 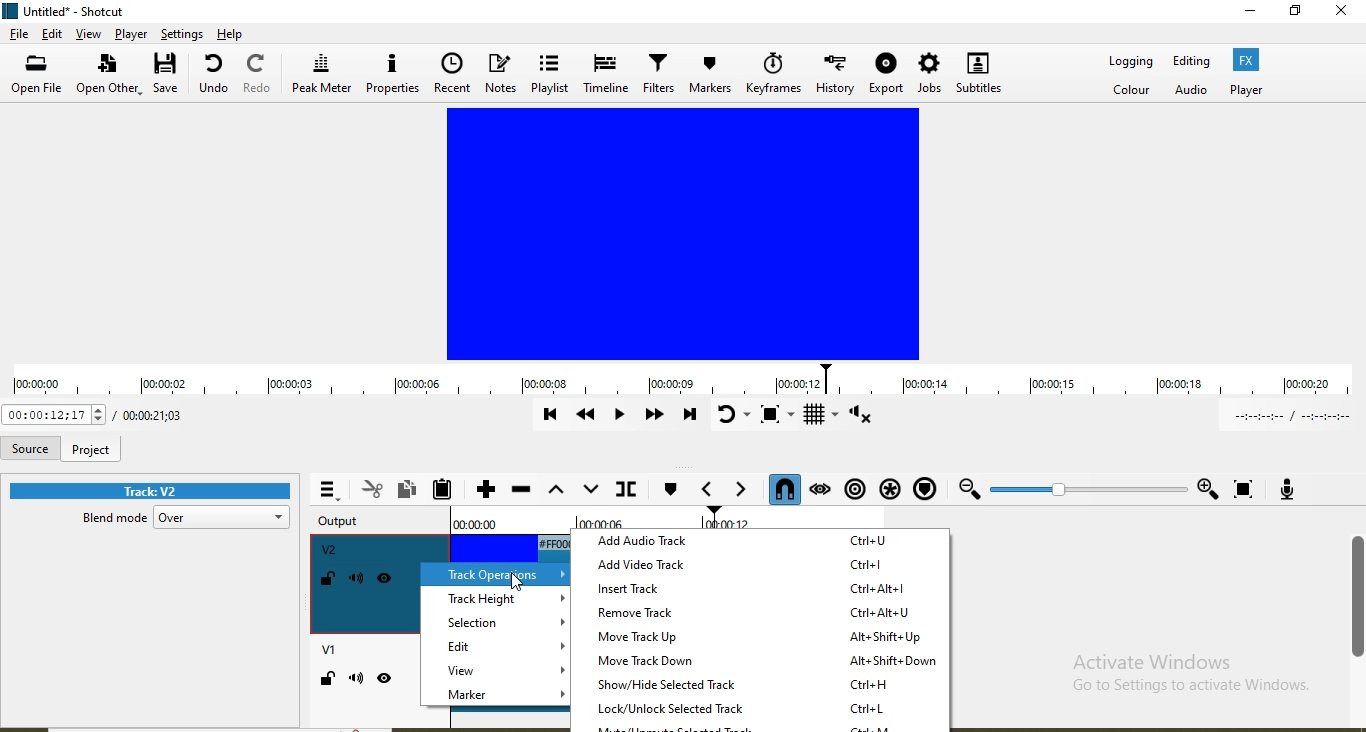 I want to click on Media view , so click(x=681, y=235).